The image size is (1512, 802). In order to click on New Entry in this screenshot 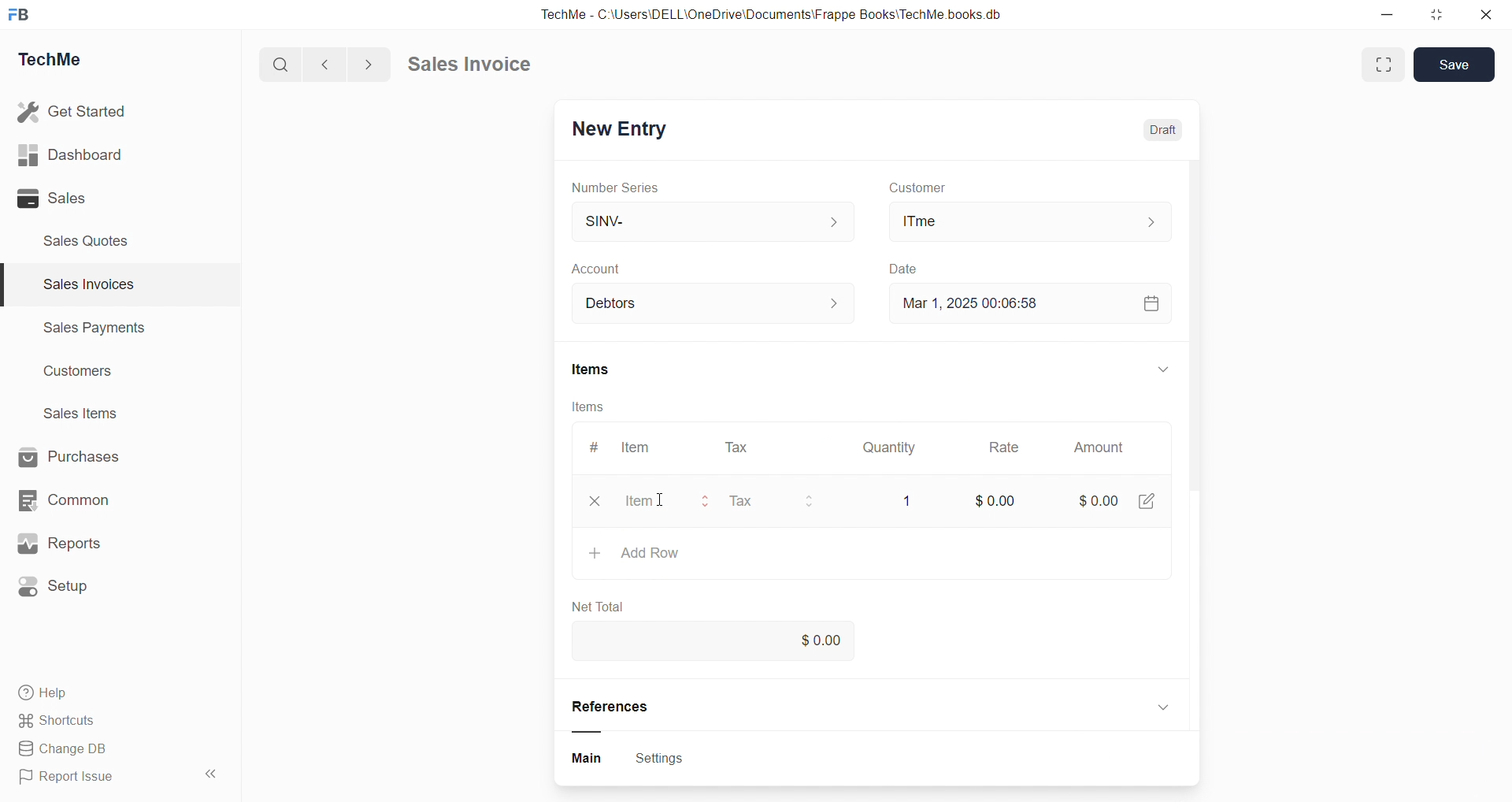, I will do `click(625, 126)`.